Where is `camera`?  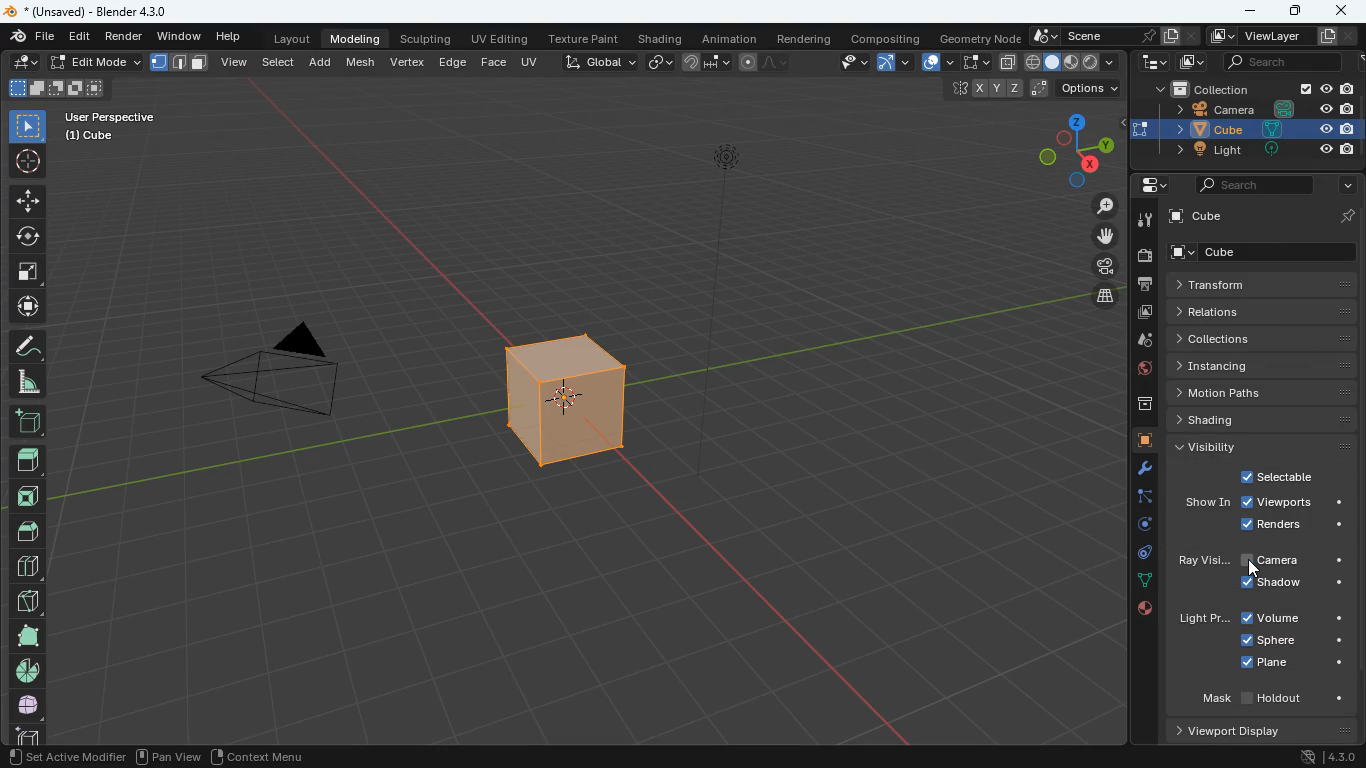
camera is located at coordinates (1296, 561).